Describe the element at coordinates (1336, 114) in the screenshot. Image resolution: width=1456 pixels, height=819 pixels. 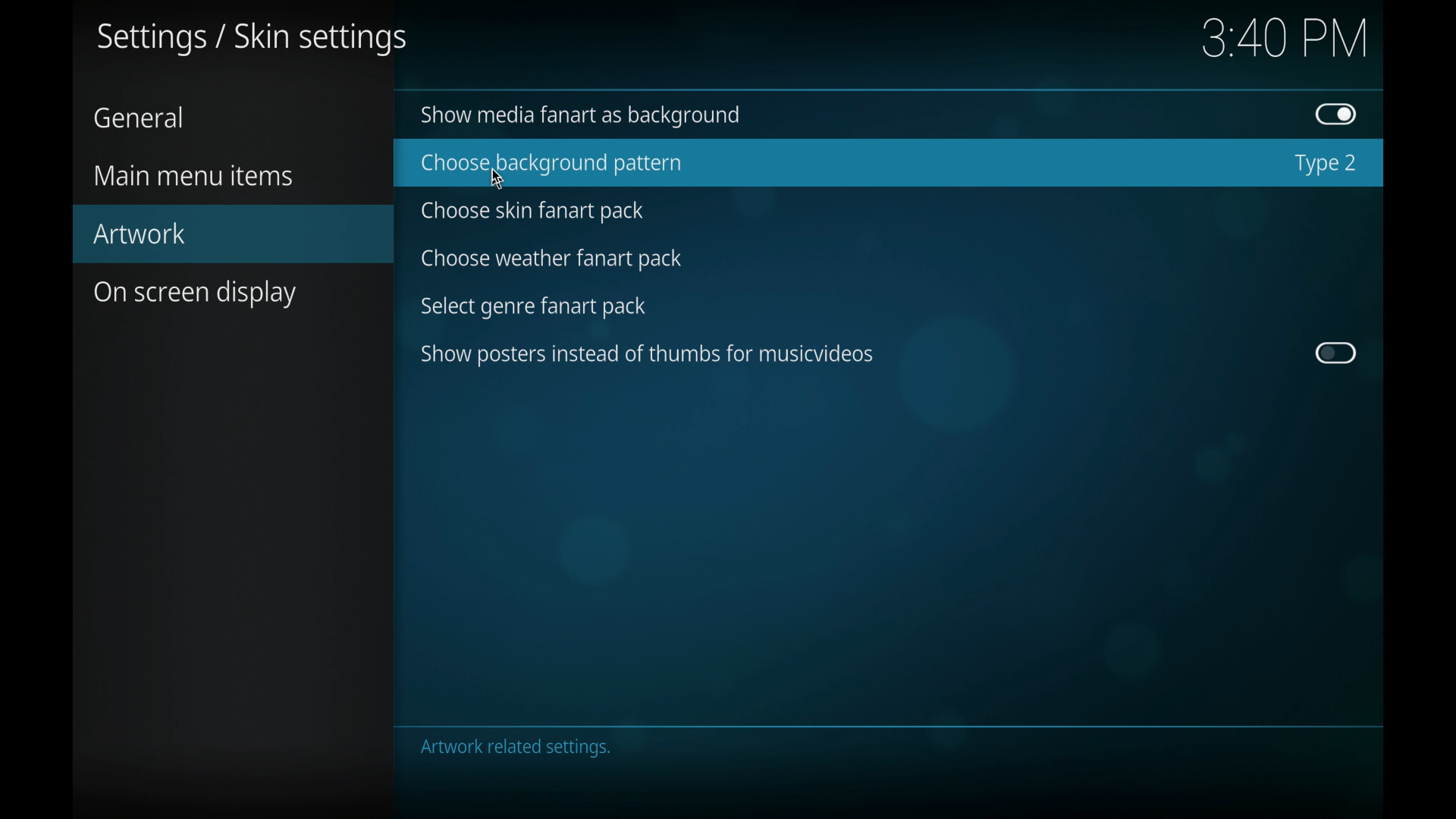
I see `toggle button` at that location.